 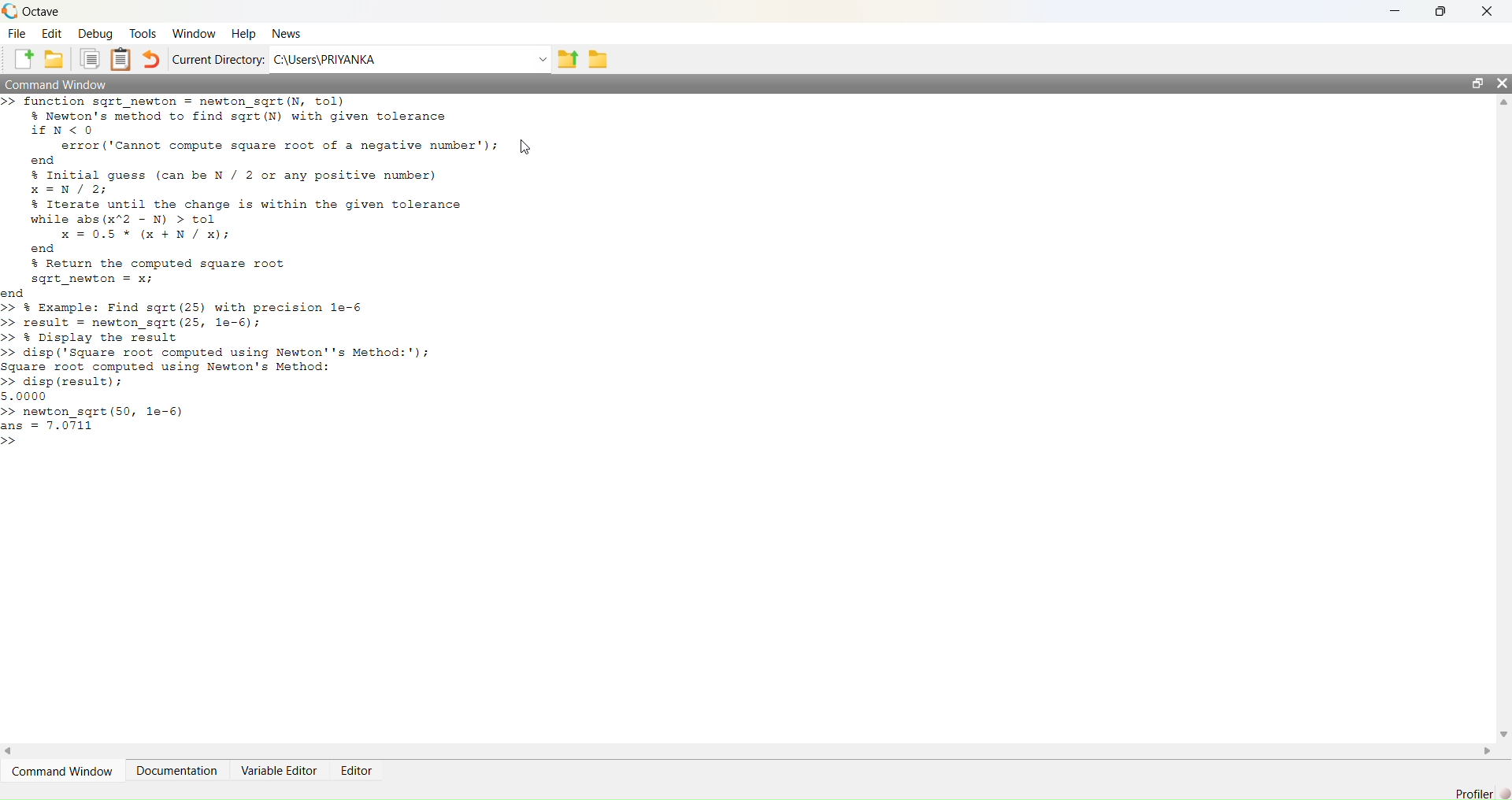 What do you see at coordinates (61, 85) in the screenshot?
I see `Command Window` at bounding box center [61, 85].